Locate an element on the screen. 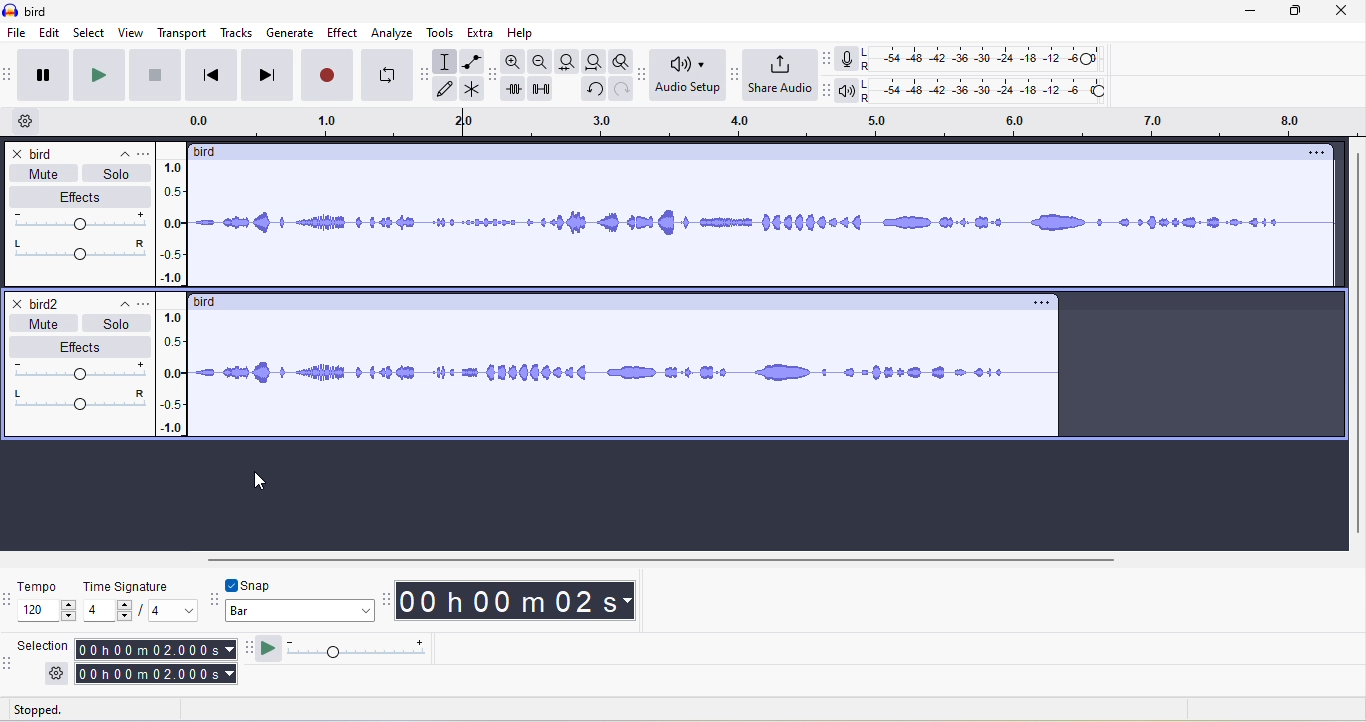 Image resolution: width=1366 pixels, height=722 pixels. effects is located at coordinates (80, 196).